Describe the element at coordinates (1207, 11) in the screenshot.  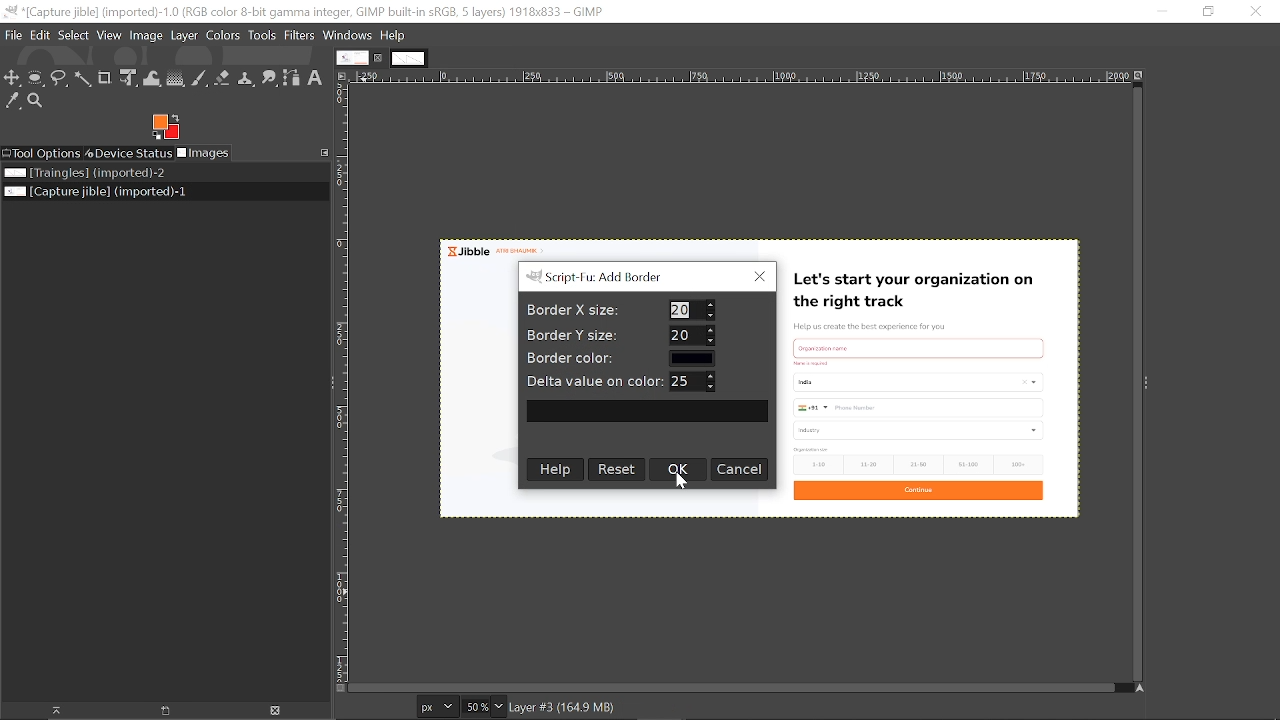
I see `Restore down` at that location.